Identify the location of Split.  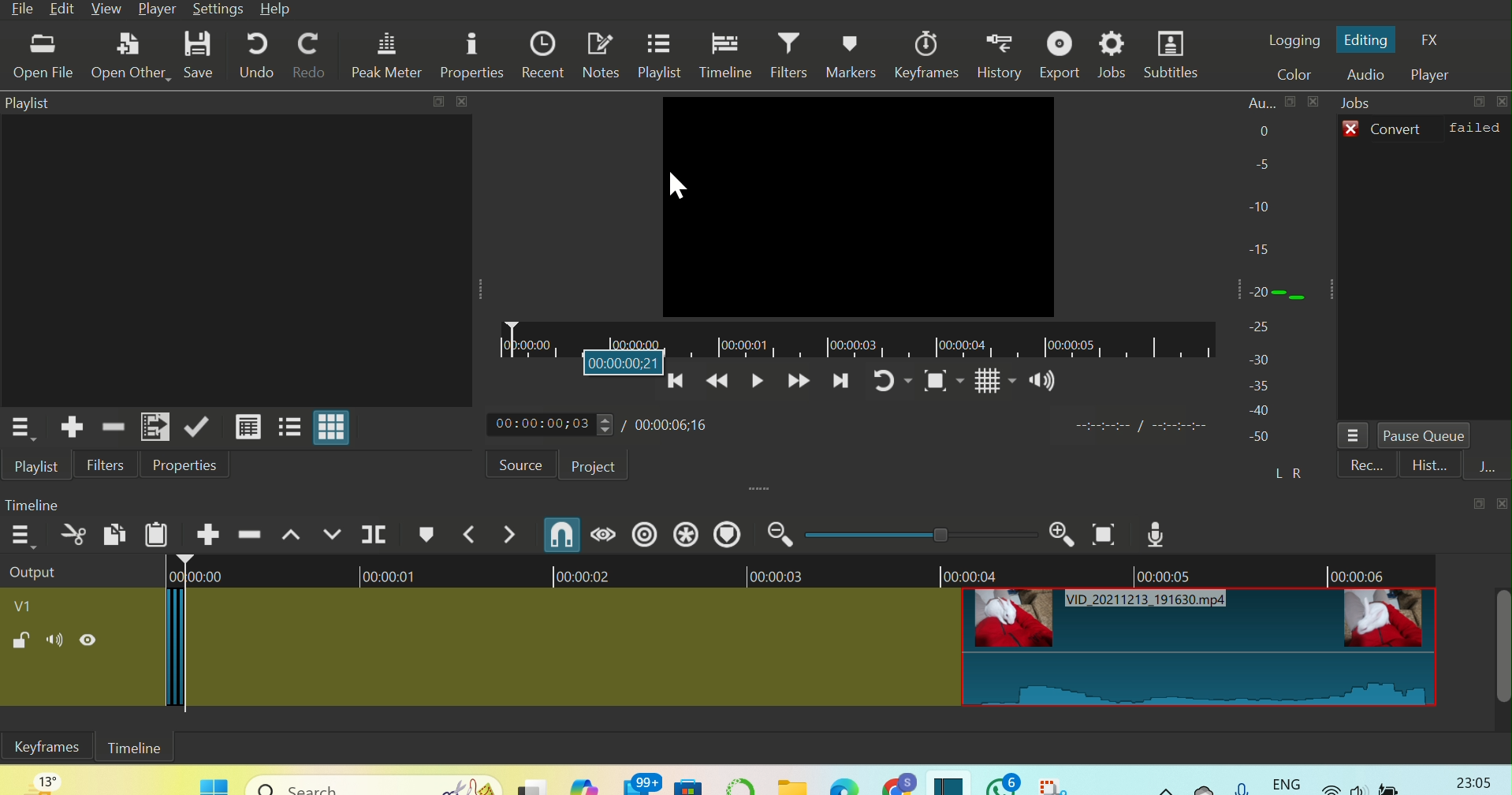
(378, 535).